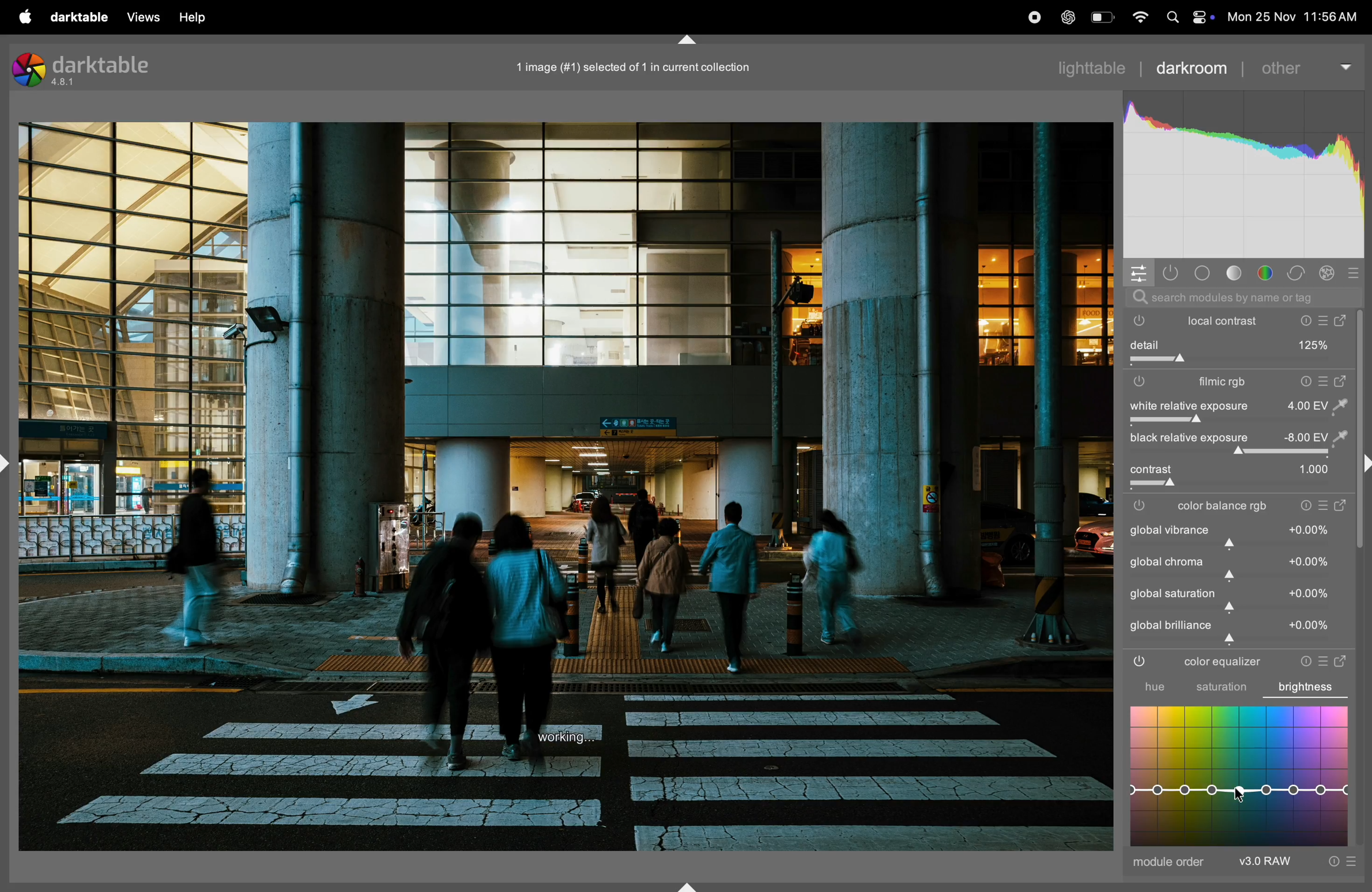 This screenshot has height=892, width=1372. Describe the element at coordinates (1101, 17) in the screenshot. I see `battery` at that location.